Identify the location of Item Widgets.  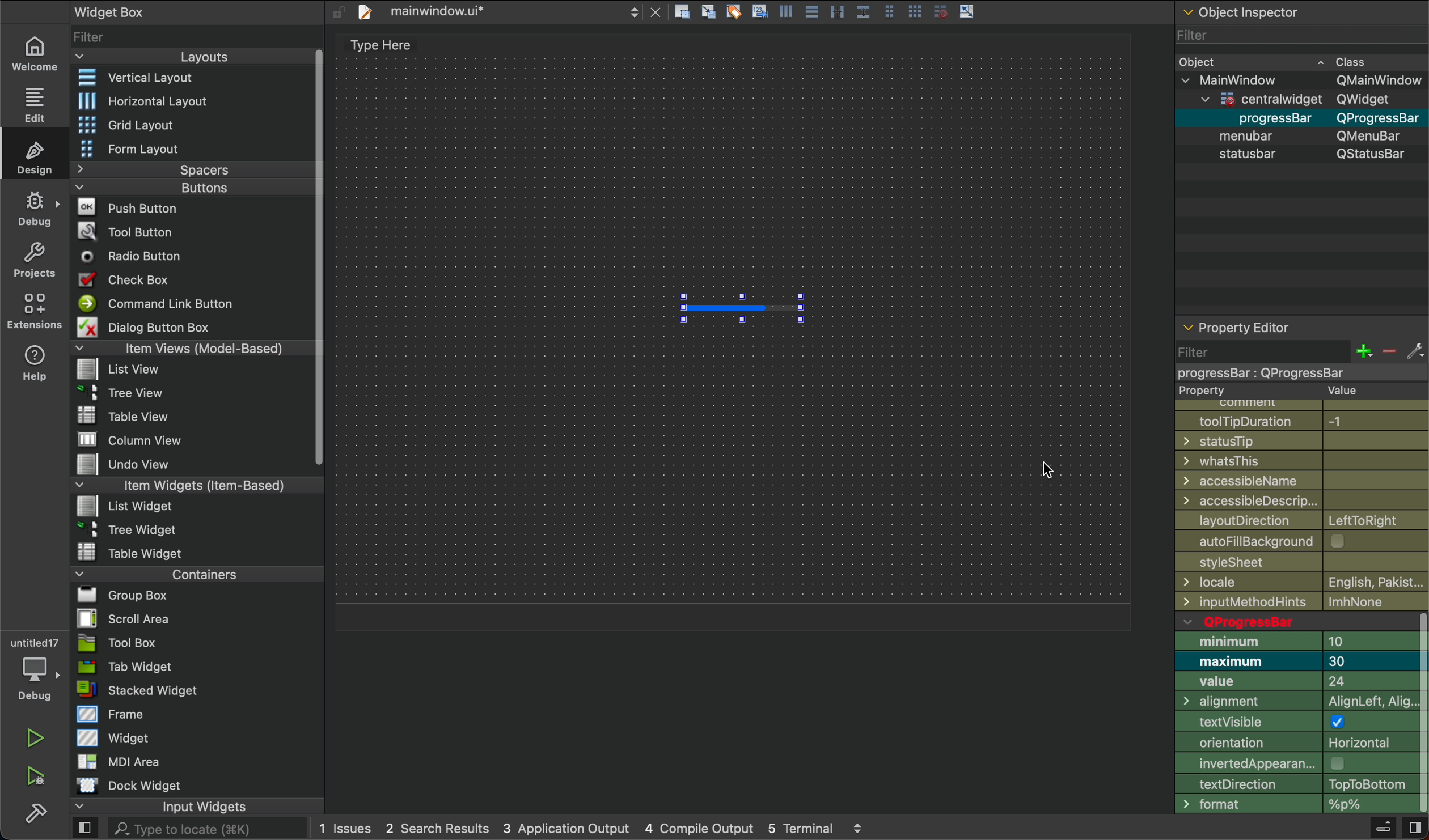
(179, 484).